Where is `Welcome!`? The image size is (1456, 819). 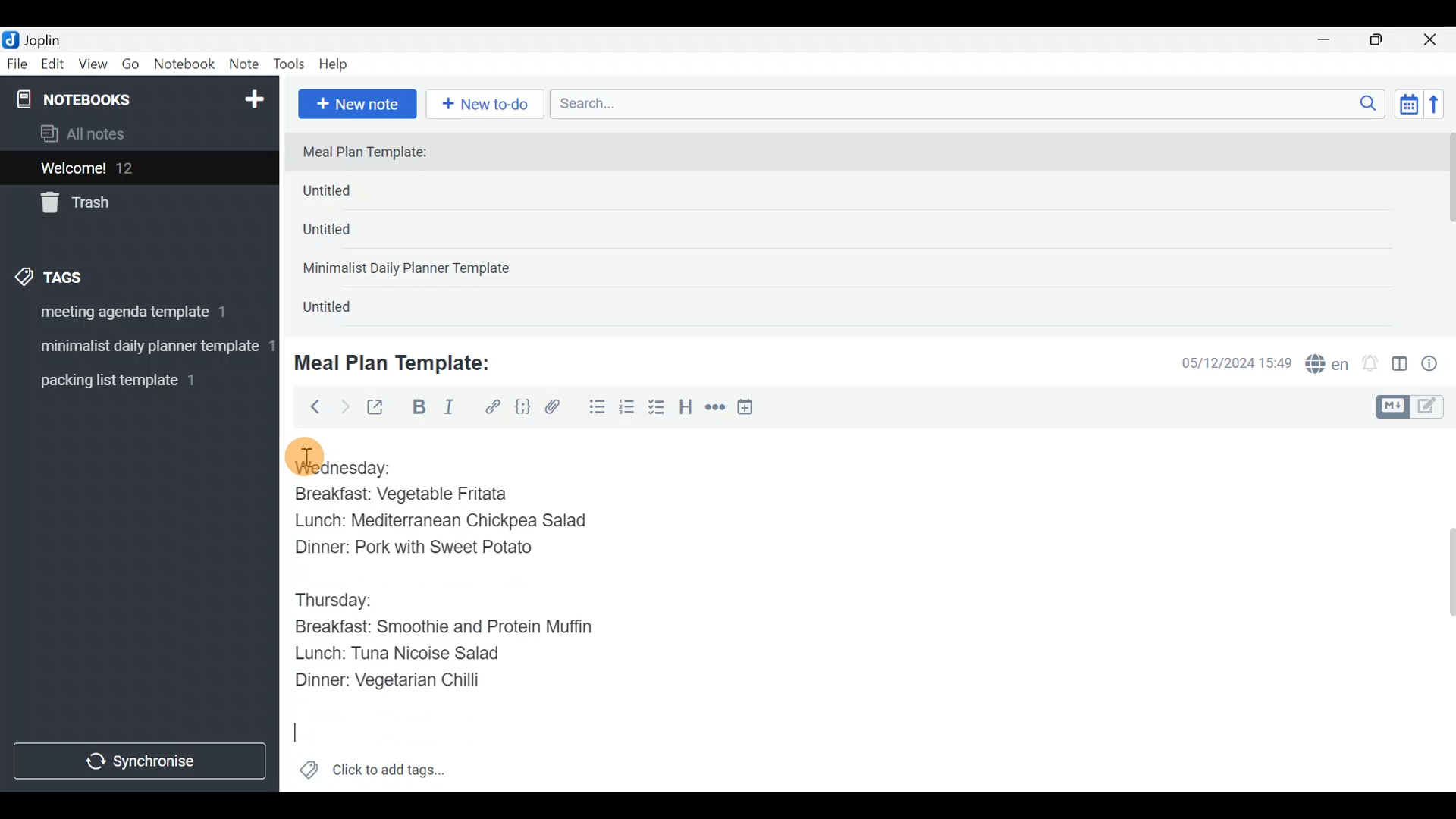
Welcome! is located at coordinates (137, 169).